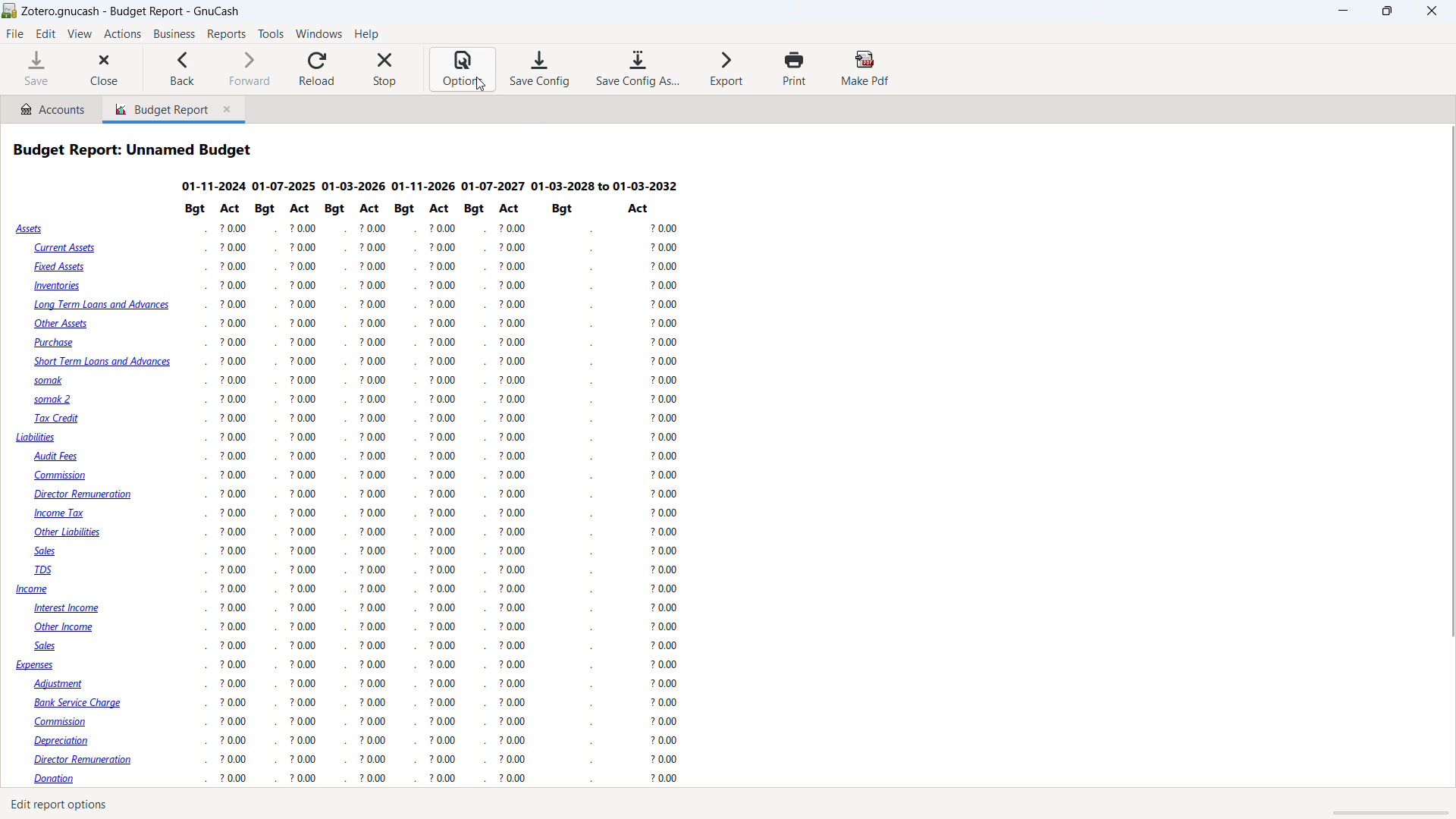 This screenshot has width=1456, height=819. Describe the element at coordinates (46, 34) in the screenshot. I see `edit` at that location.